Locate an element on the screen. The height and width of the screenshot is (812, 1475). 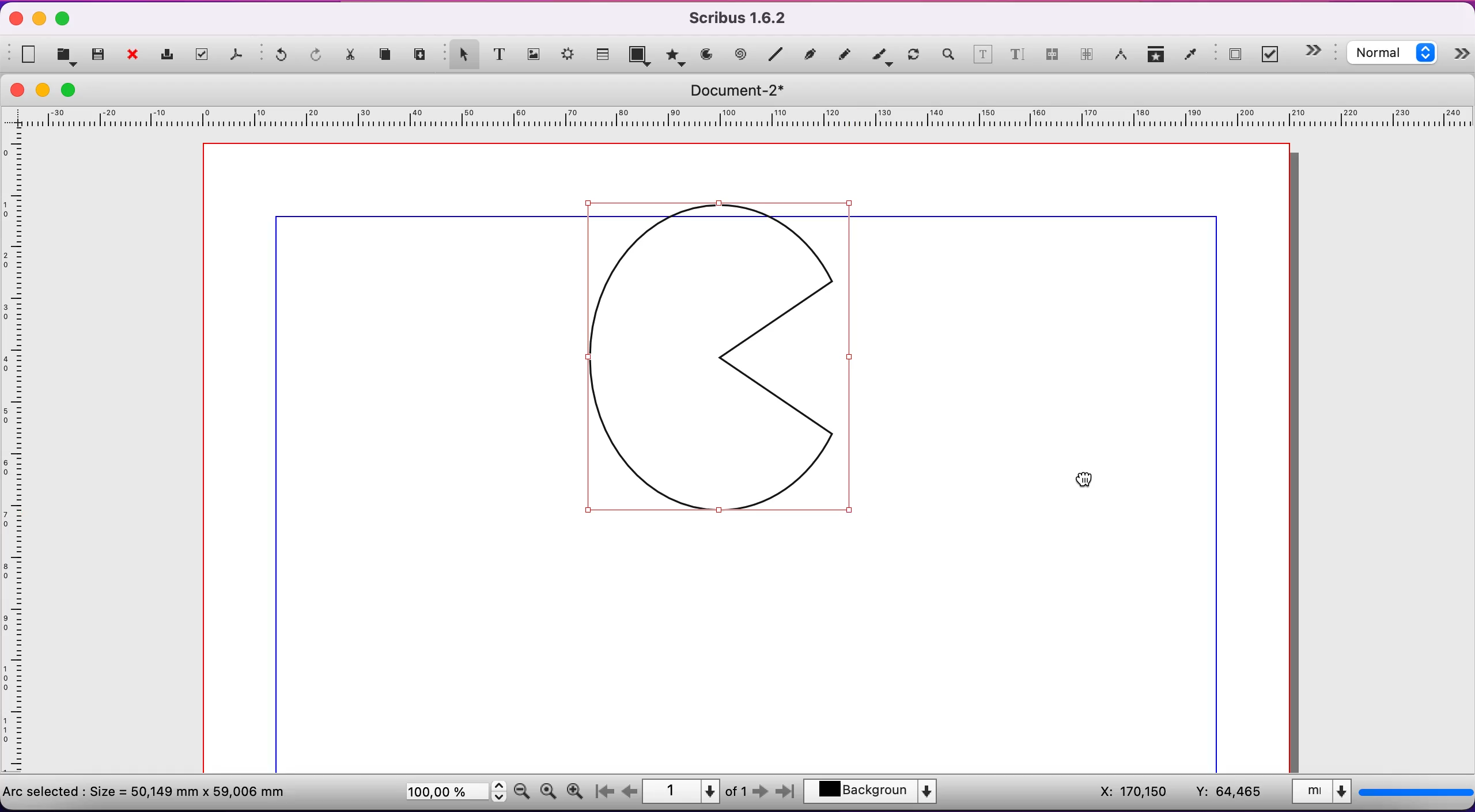
zoom in or zoom out is located at coordinates (947, 56).